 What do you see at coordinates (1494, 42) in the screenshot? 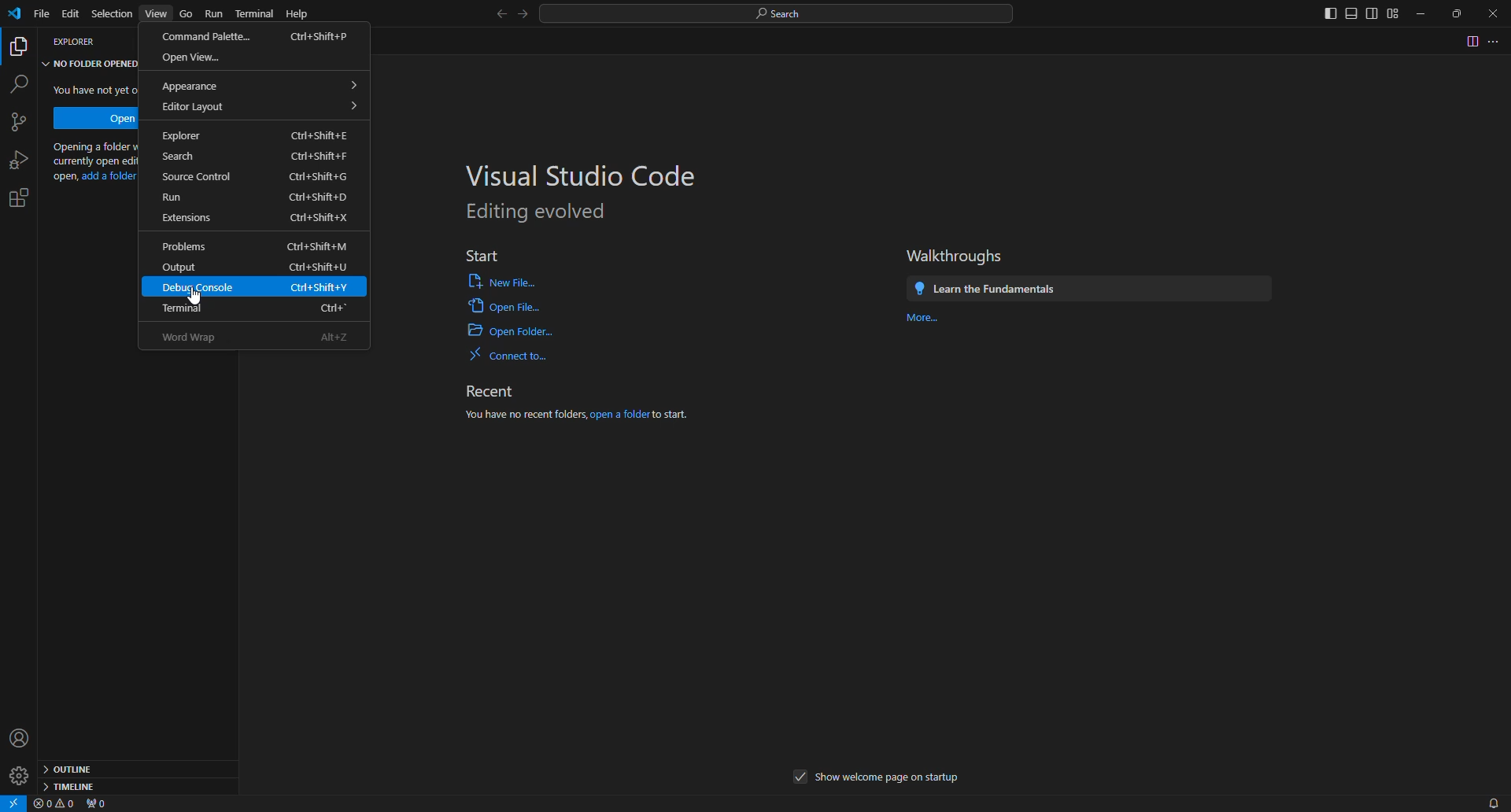
I see `more options` at bounding box center [1494, 42].